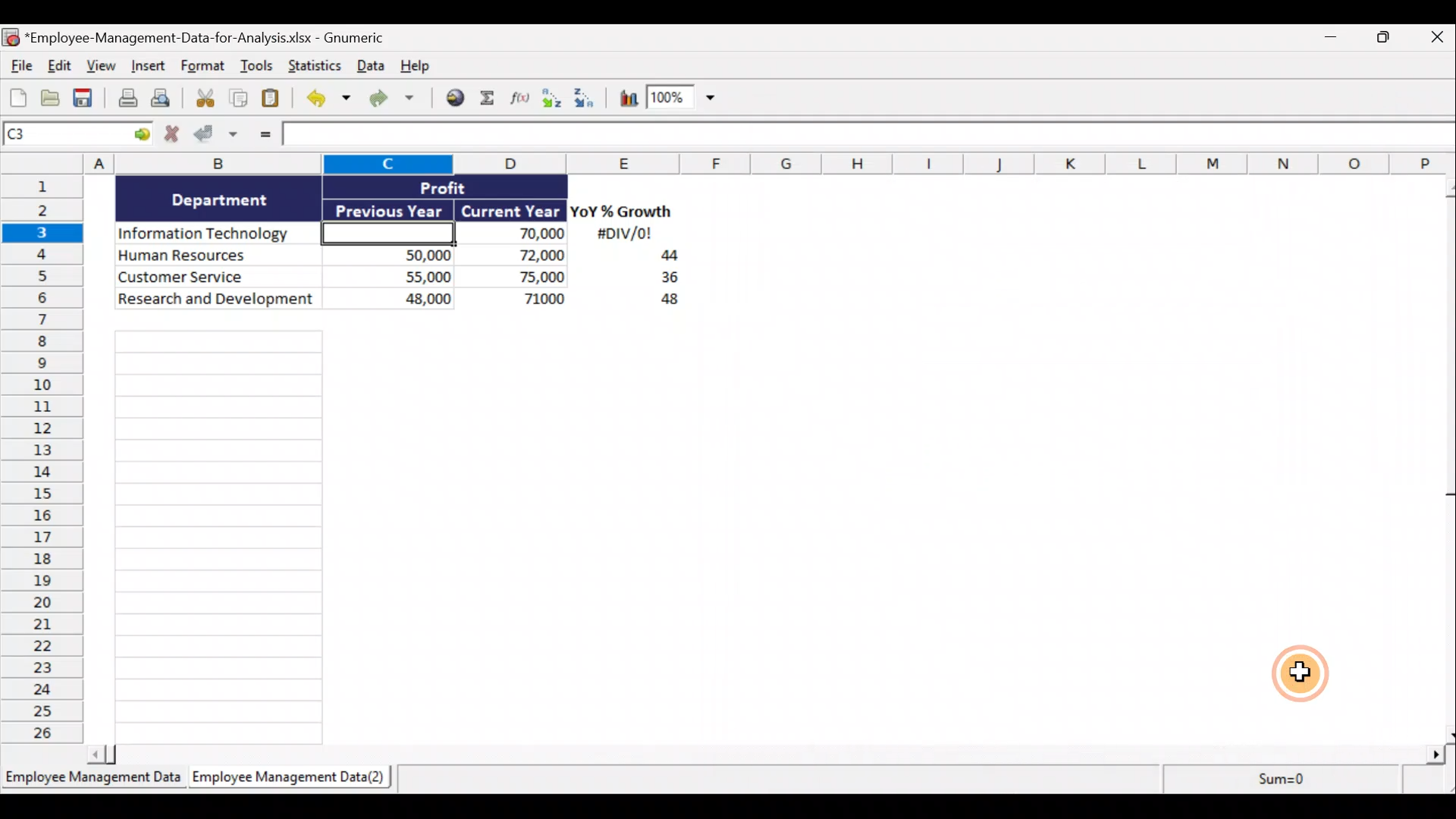 The width and height of the screenshot is (1456, 819). What do you see at coordinates (151, 69) in the screenshot?
I see `Insert` at bounding box center [151, 69].